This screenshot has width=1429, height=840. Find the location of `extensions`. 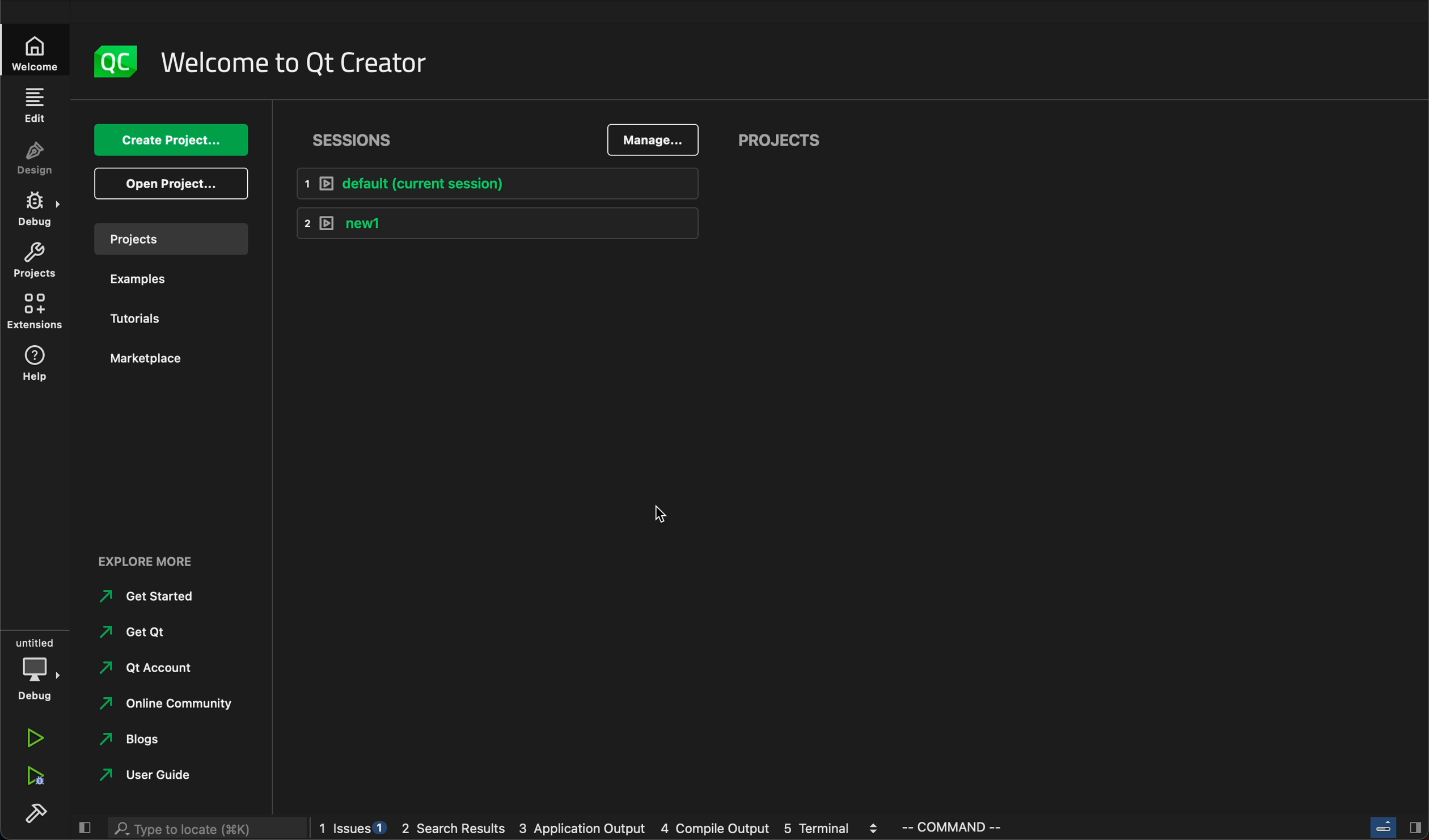

extensions is located at coordinates (35, 312).